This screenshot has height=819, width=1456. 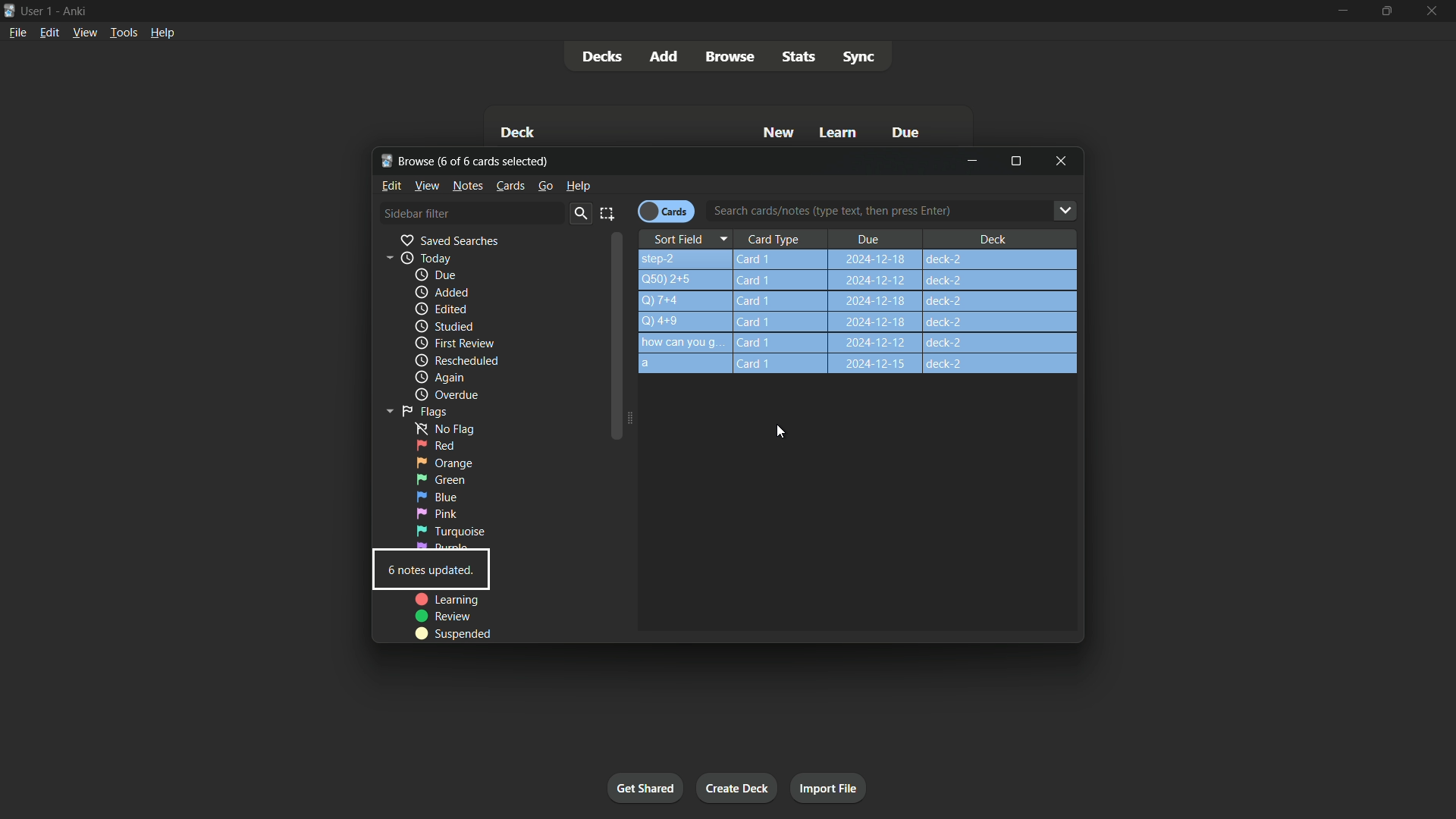 What do you see at coordinates (666, 57) in the screenshot?
I see `Add` at bounding box center [666, 57].